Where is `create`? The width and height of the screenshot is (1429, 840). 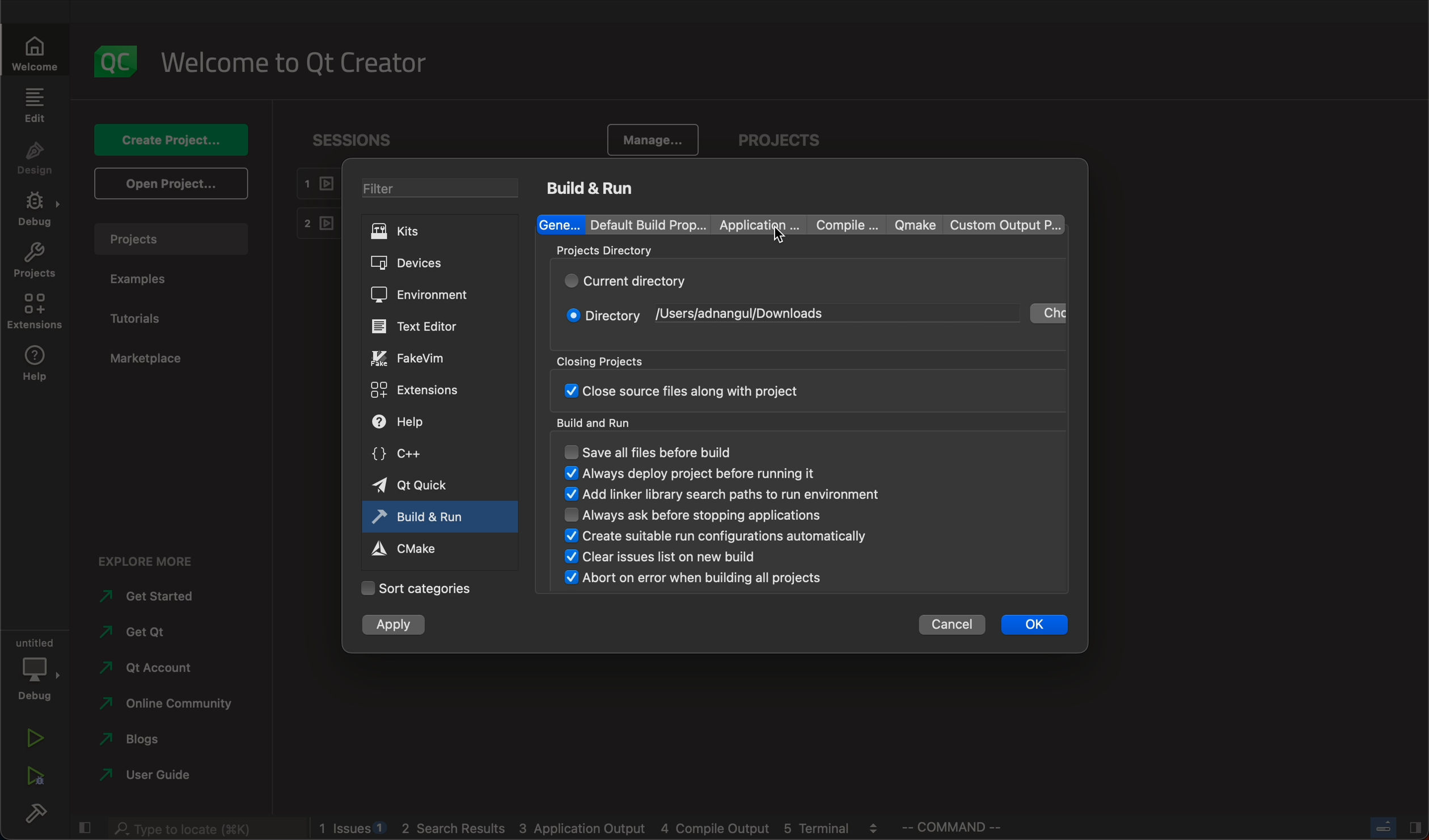 create is located at coordinates (166, 139).